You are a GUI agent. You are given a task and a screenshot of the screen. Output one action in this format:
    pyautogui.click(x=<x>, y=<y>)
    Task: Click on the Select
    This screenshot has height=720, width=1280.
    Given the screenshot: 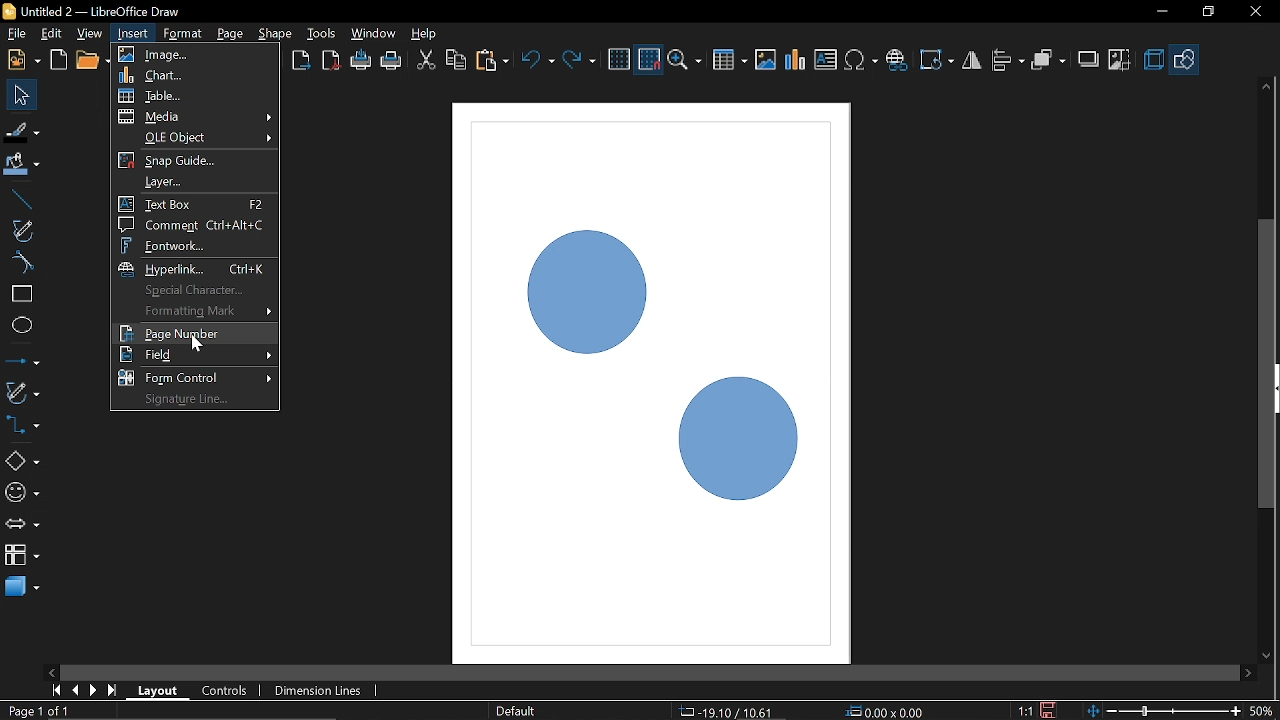 What is the action you would take?
    pyautogui.click(x=23, y=95)
    